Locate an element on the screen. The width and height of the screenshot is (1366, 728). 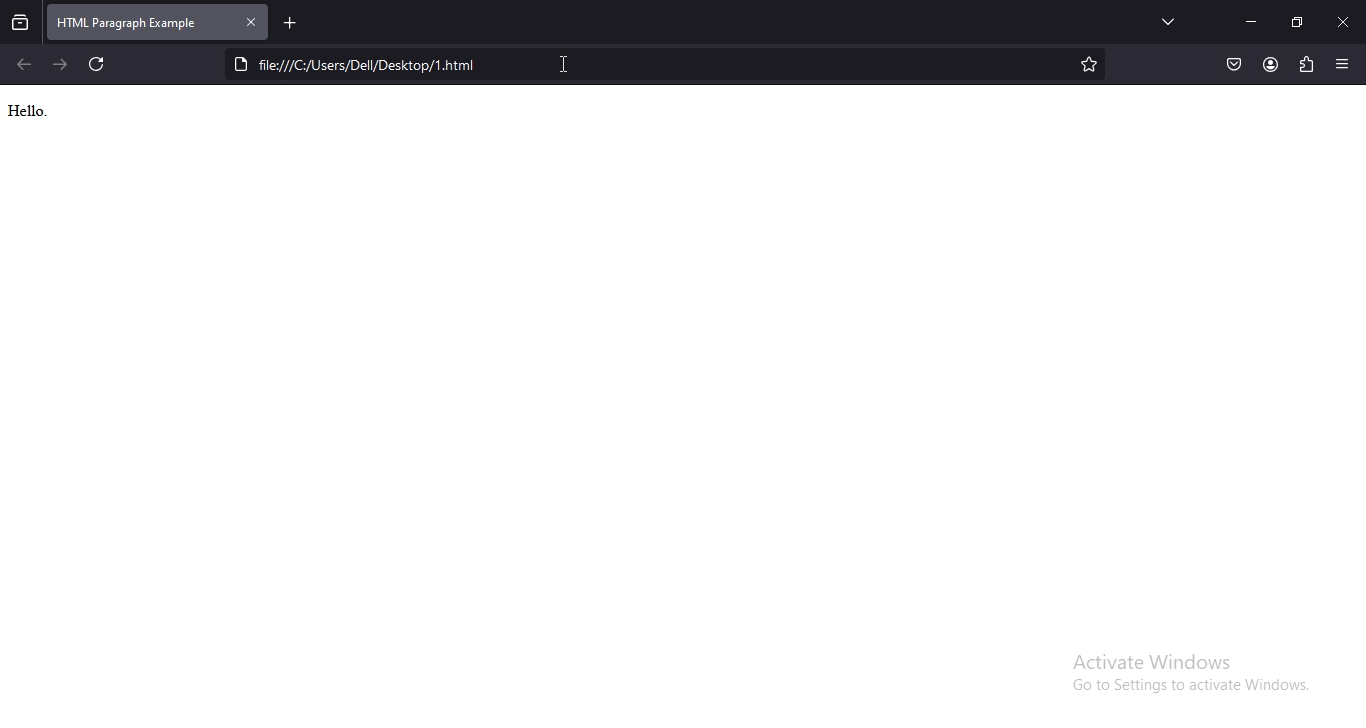
cursor is located at coordinates (566, 65).